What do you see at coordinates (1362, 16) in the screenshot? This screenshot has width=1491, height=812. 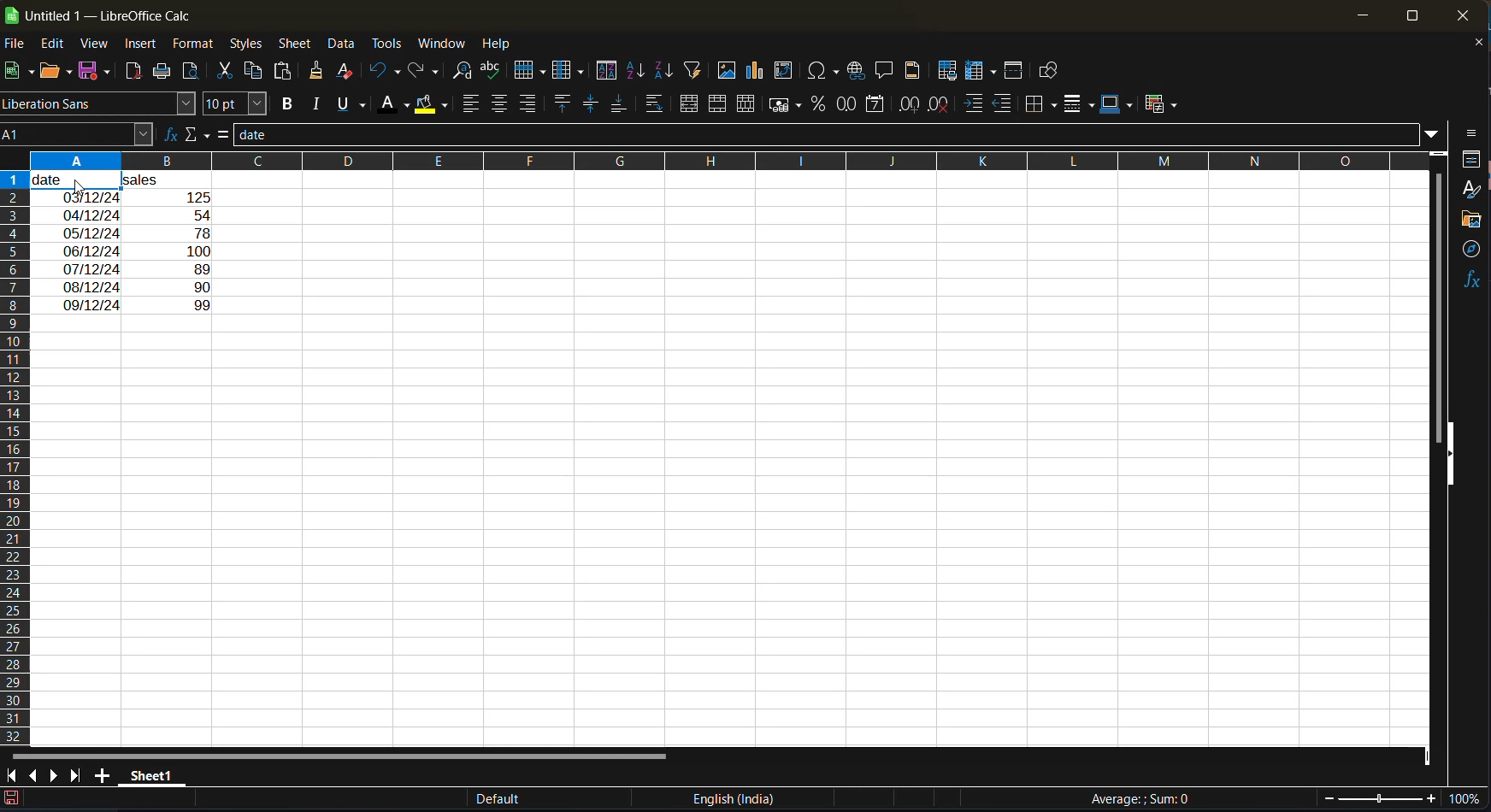 I see `minimize` at bounding box center [1362, 16].